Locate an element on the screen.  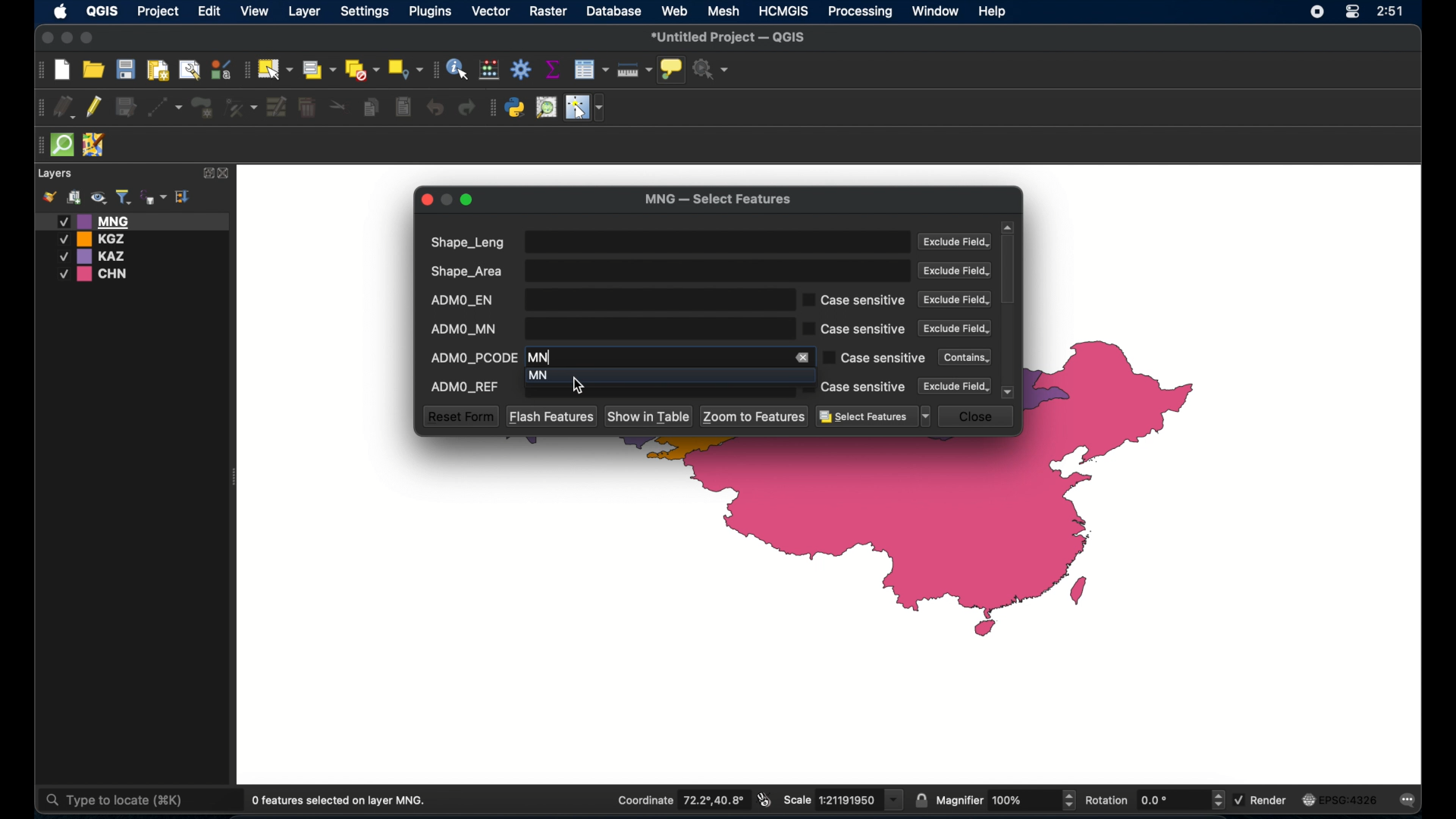
measure line is located at coordinates (635, 70).